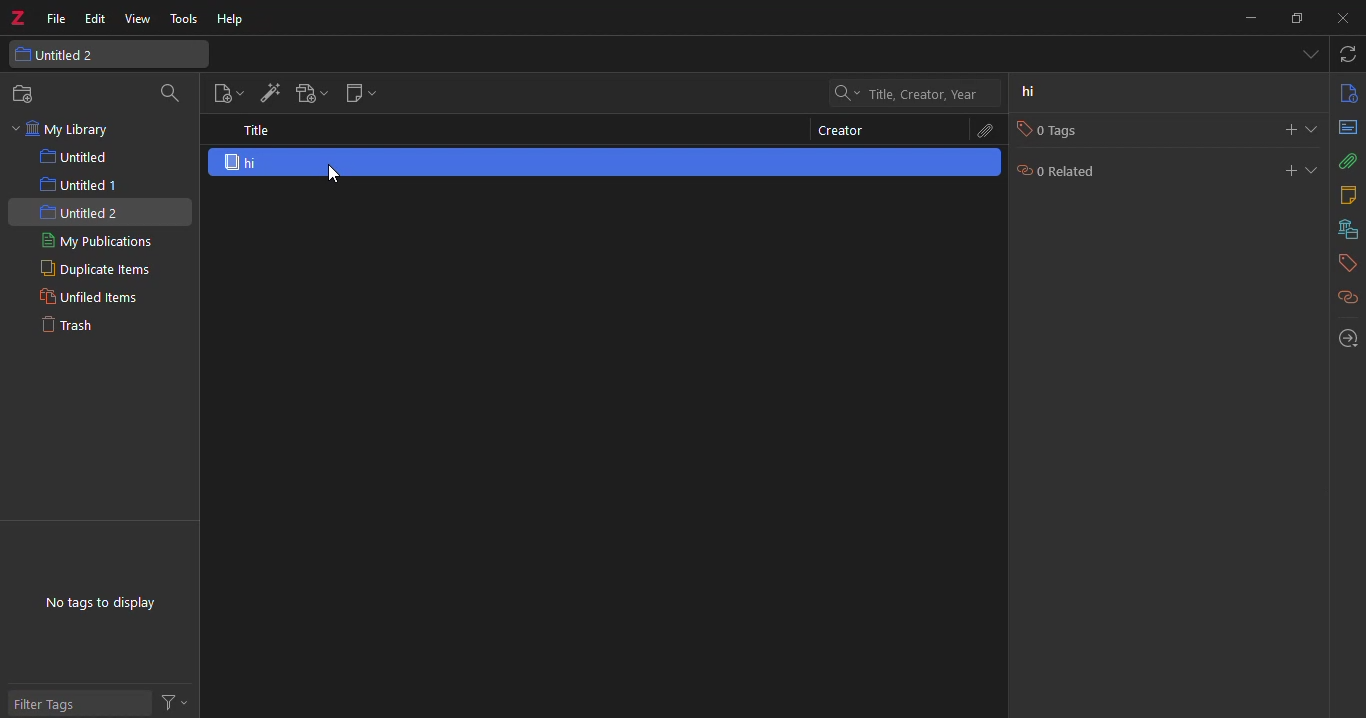 The height and width of the screenshot is (718, 1366). Describe the element at coordinates (62, 55) in the screenshot. I see `untitled 2` at that location.